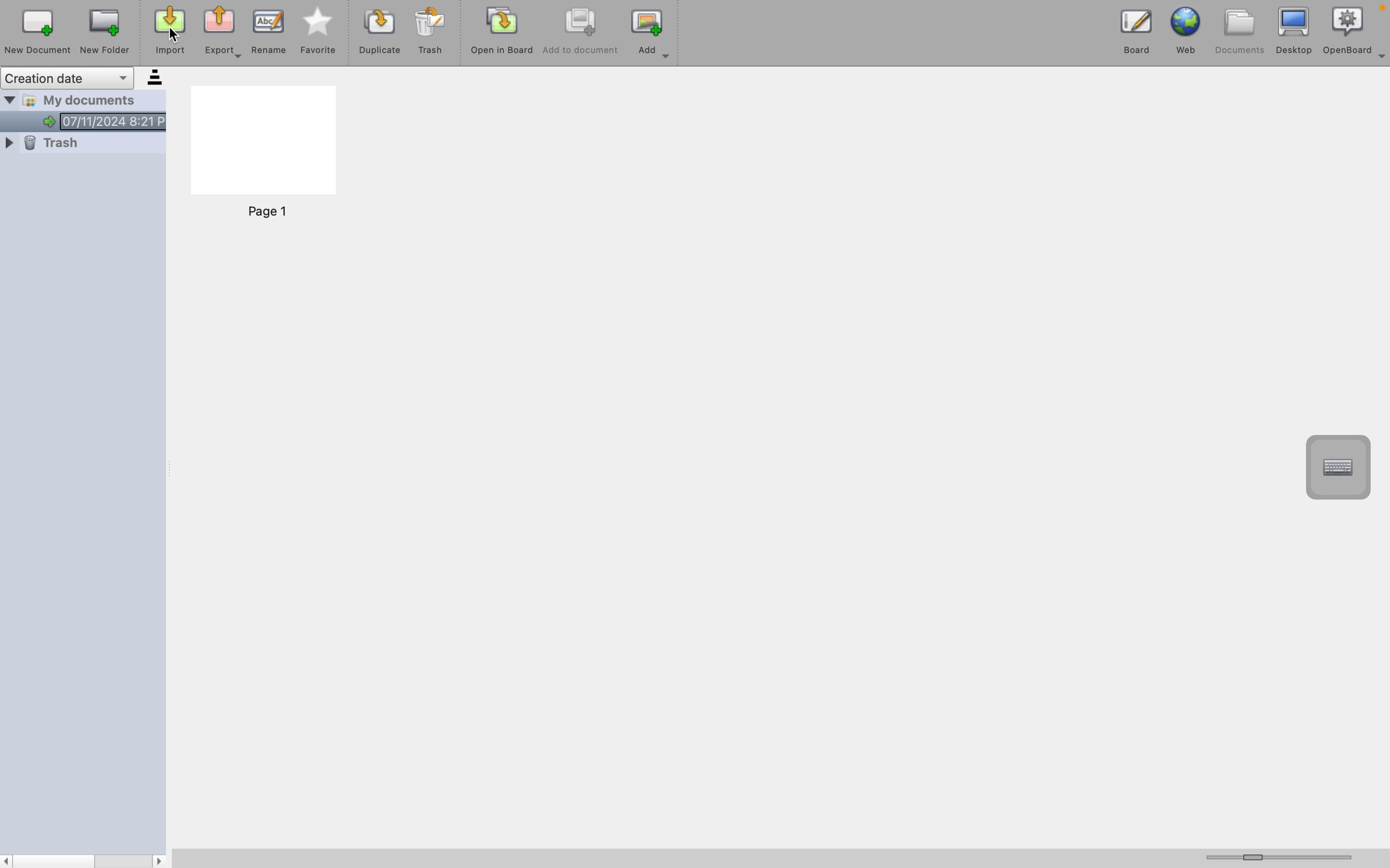 This screenshot has width=1390, height=868. Describe the element at coordinates (379, 35) in the screenshot. I see `duplicat` at that location.